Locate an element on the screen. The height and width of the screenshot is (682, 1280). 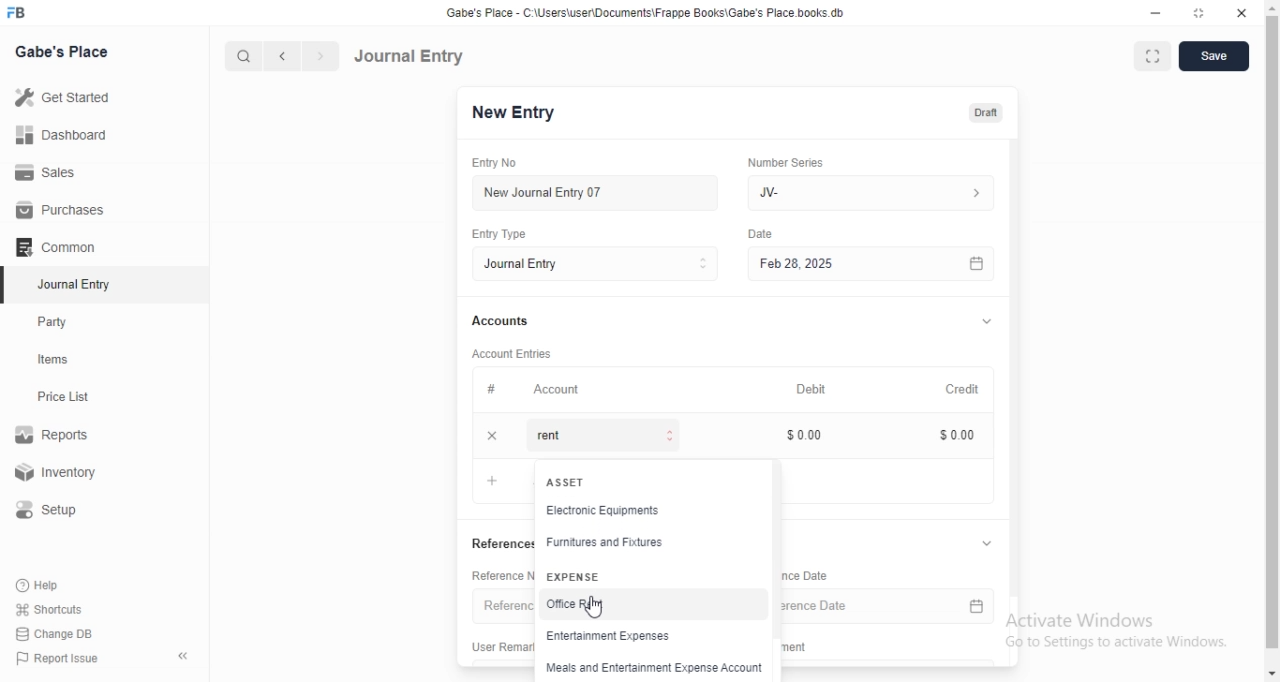
restore is located at coordinates (1198, 13).